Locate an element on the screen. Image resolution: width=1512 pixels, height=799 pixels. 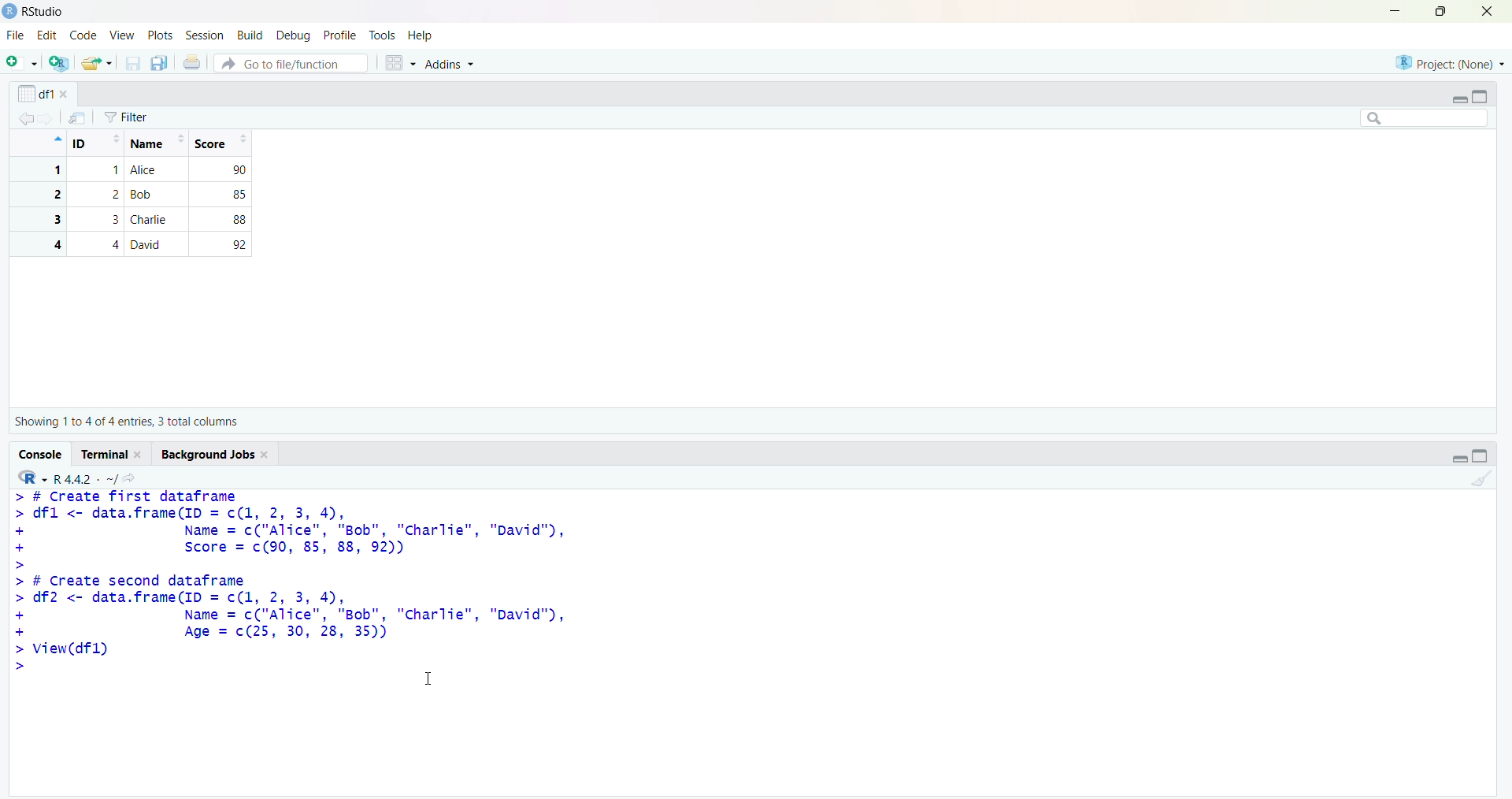
build is located at coordinates (252, 36).